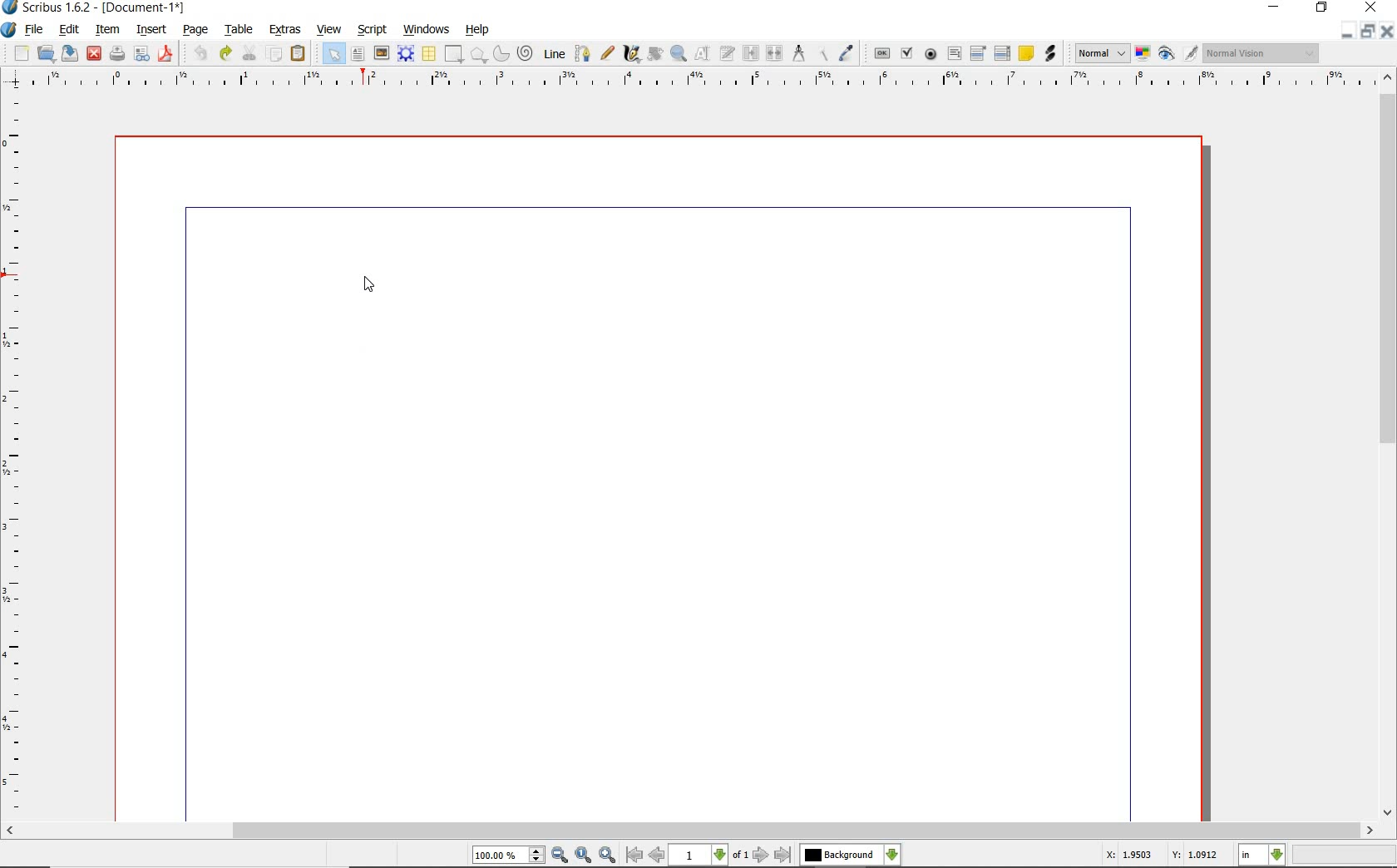  I want to click on new, so click(22, 55).